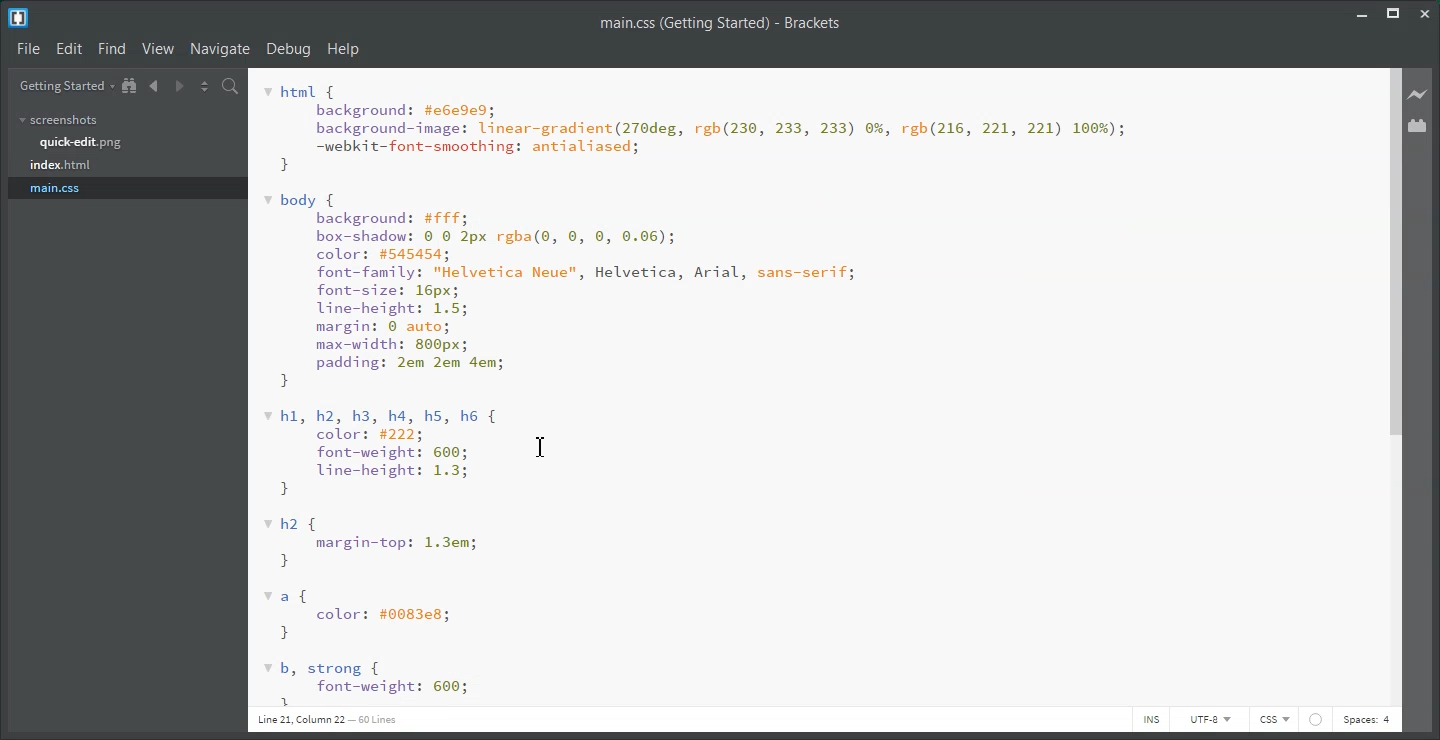  I want to click on index.html (Getting Started) - Brackets, so click(741, 25).